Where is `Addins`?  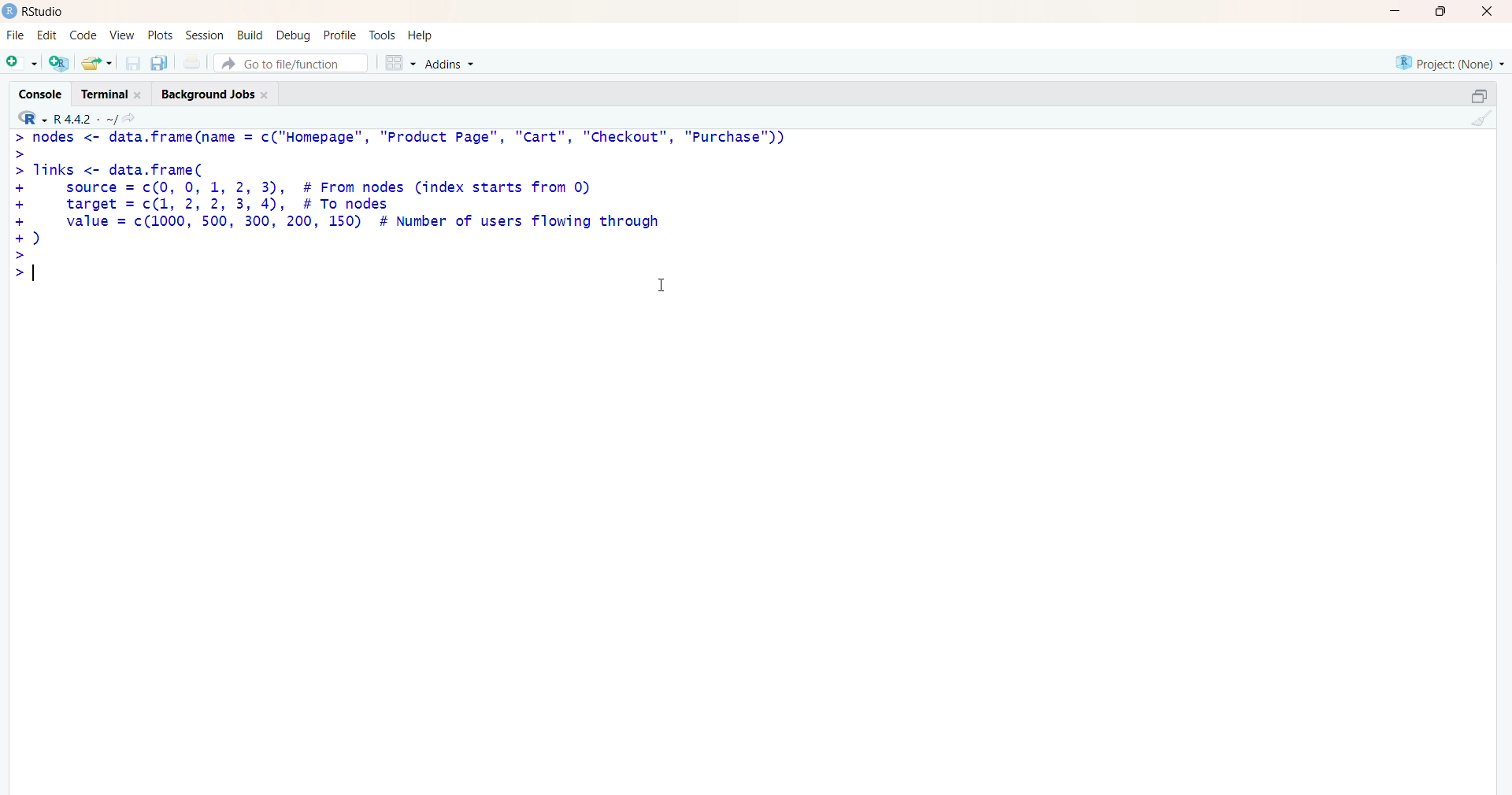 Addins is located at coordinates (449, 65).